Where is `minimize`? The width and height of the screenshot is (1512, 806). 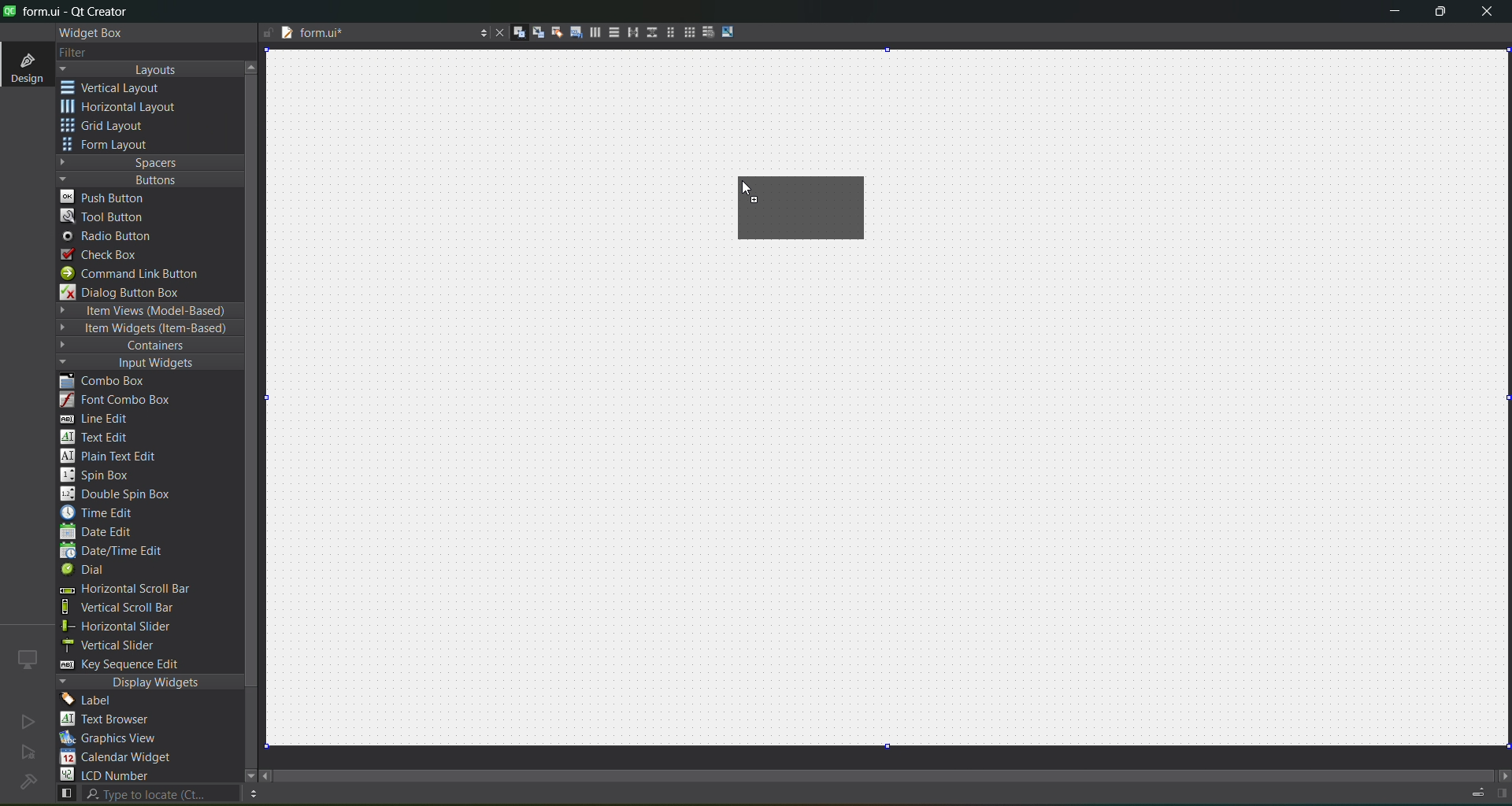
minimize is located at coordinates (1395, 14).